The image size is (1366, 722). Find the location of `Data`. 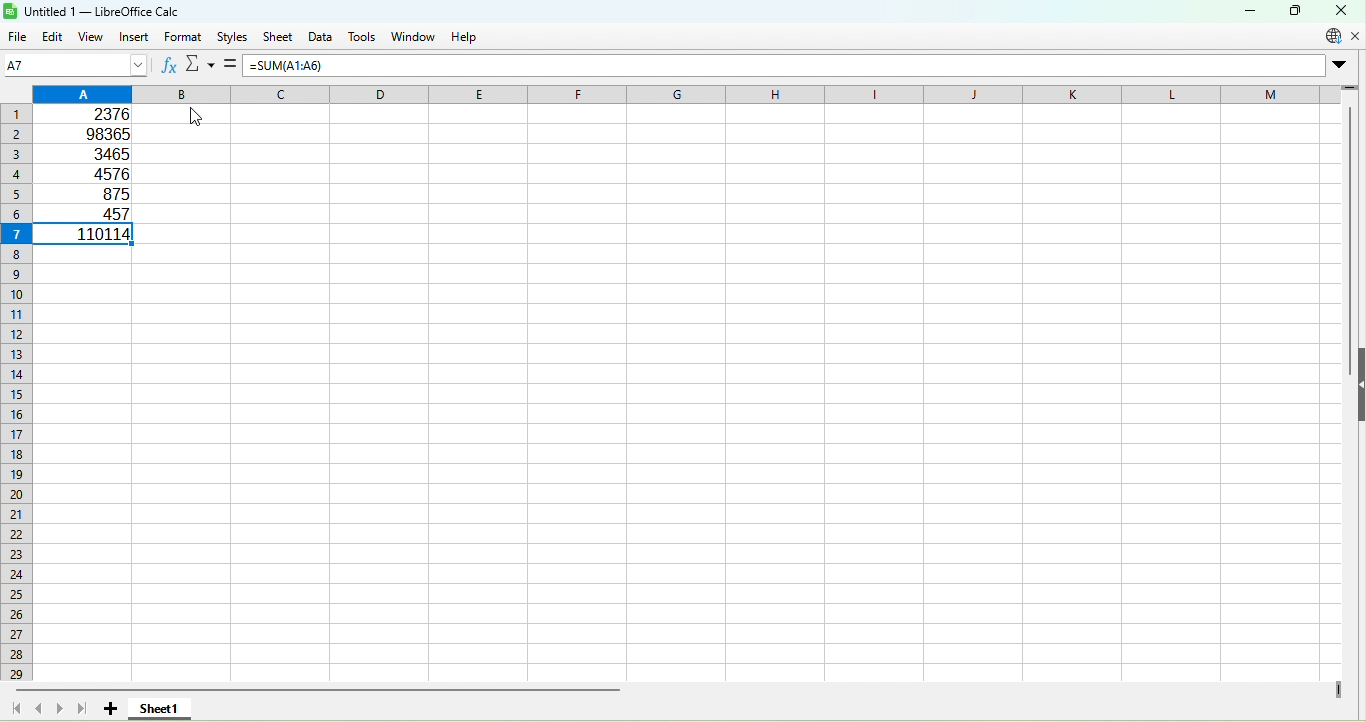

Data is located at coordinates (318, 37).